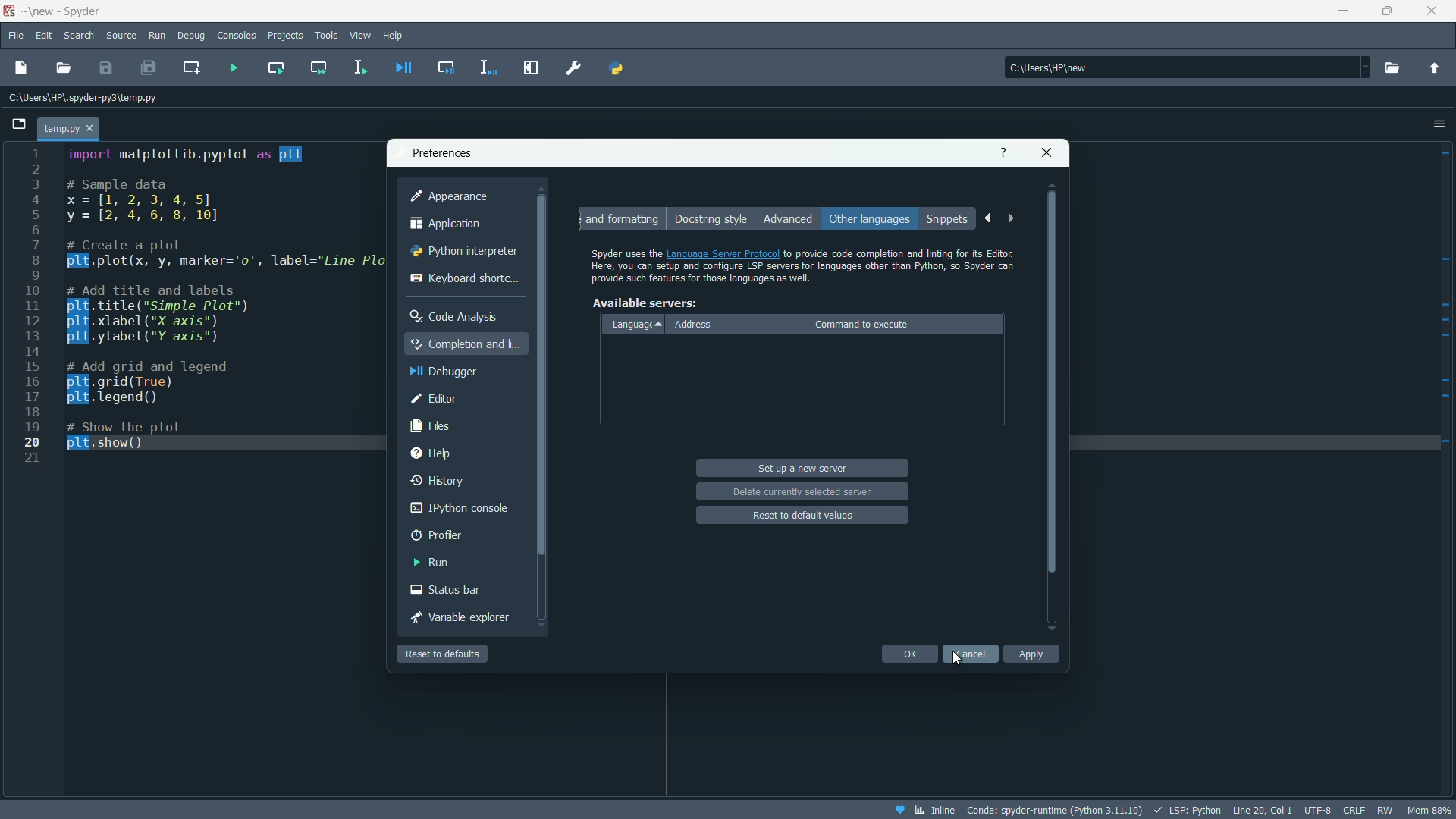 The width and height of the screenshot is (1456, 819). I want to click on Docstring style, so click(709, 219).